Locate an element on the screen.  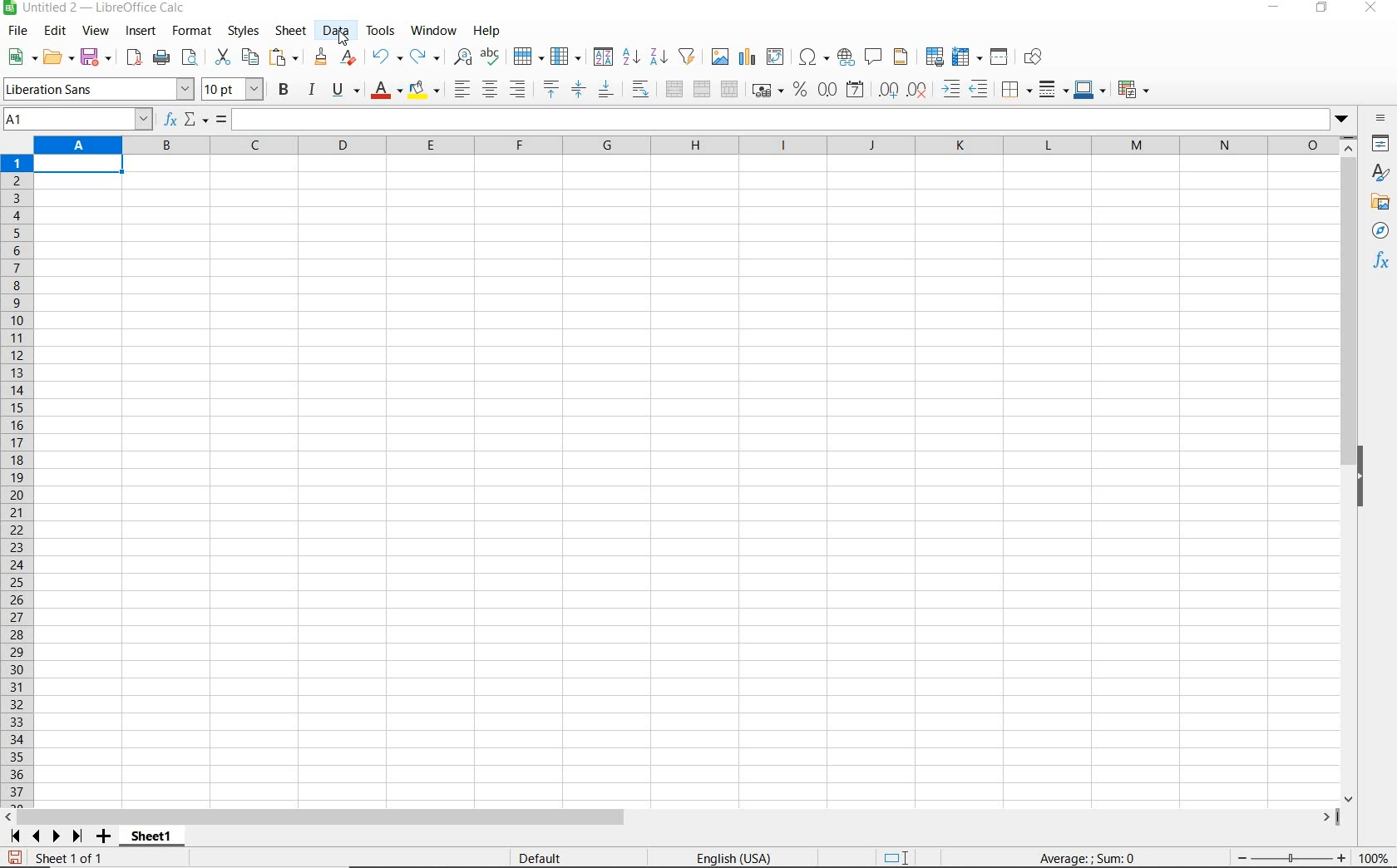
hide is located at coordinates (1362, 479).